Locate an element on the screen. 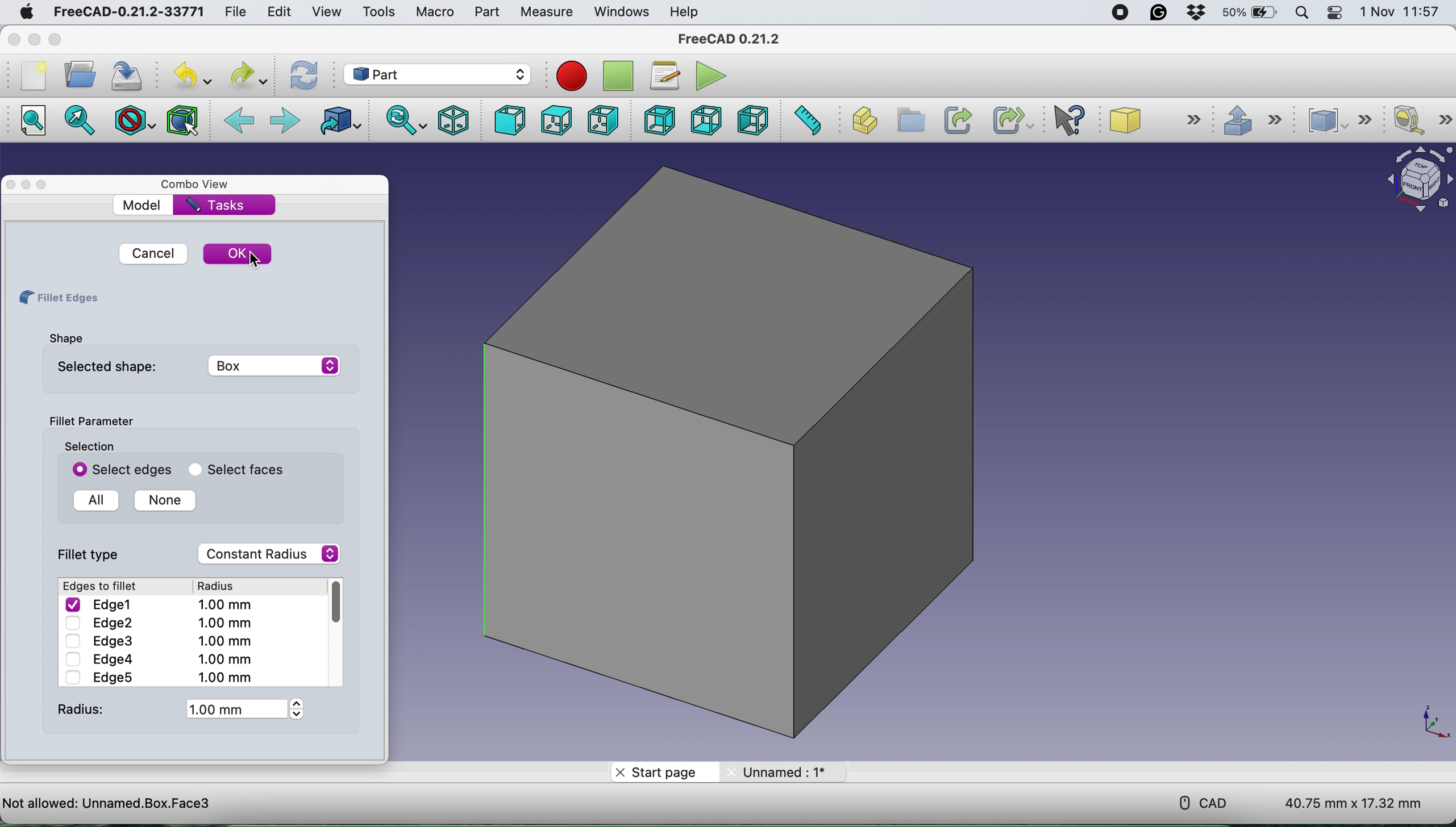 This screenshot has width=1456, height=827. Selection is located at coordinates (89, 446).